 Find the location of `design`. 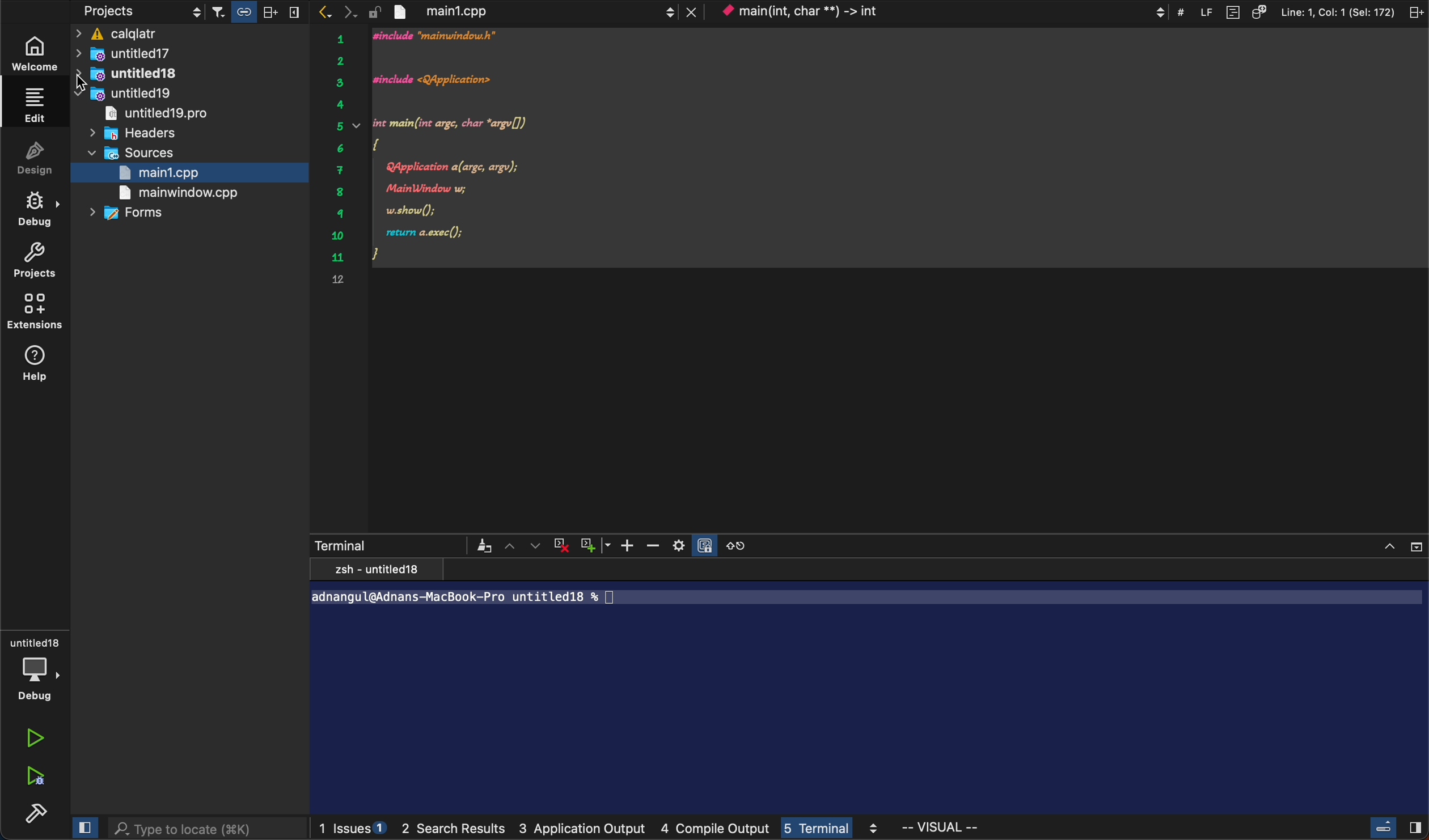

design is located at coordinates (37, 162).